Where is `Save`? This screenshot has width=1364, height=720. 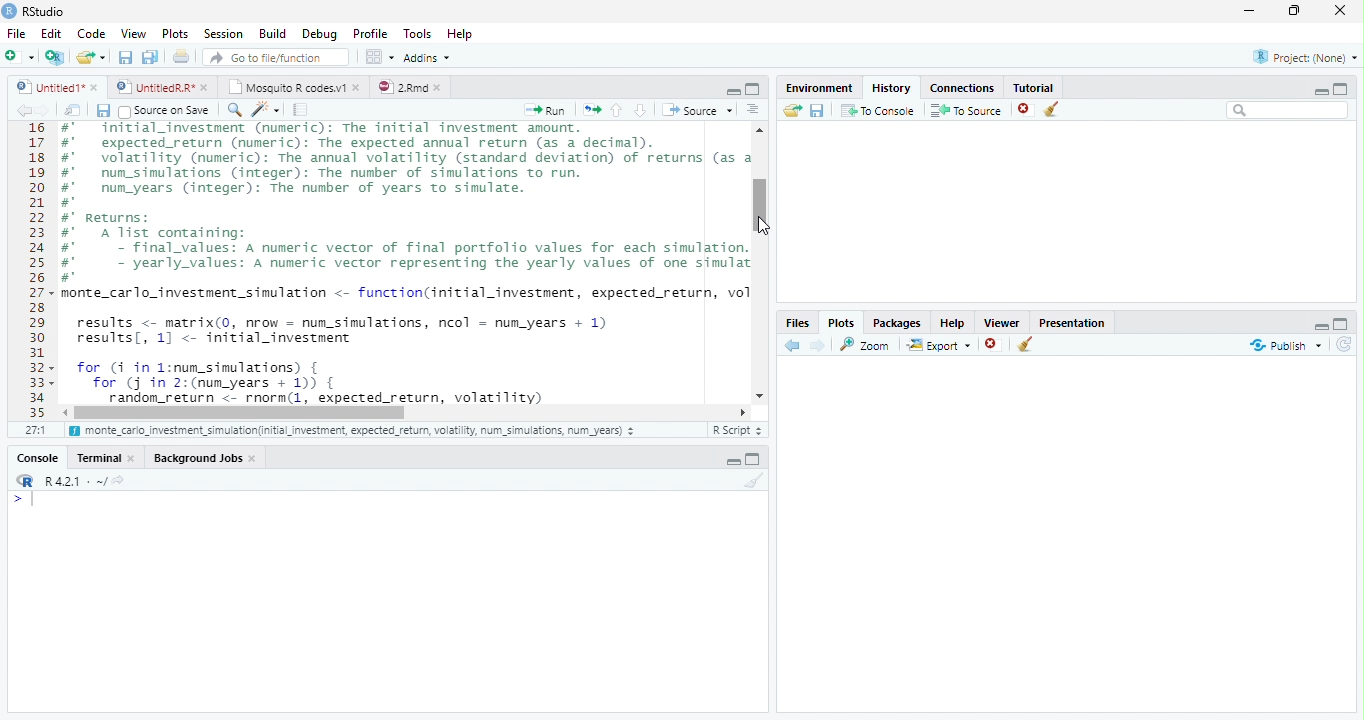 Save is located at coordinates (103, 110).